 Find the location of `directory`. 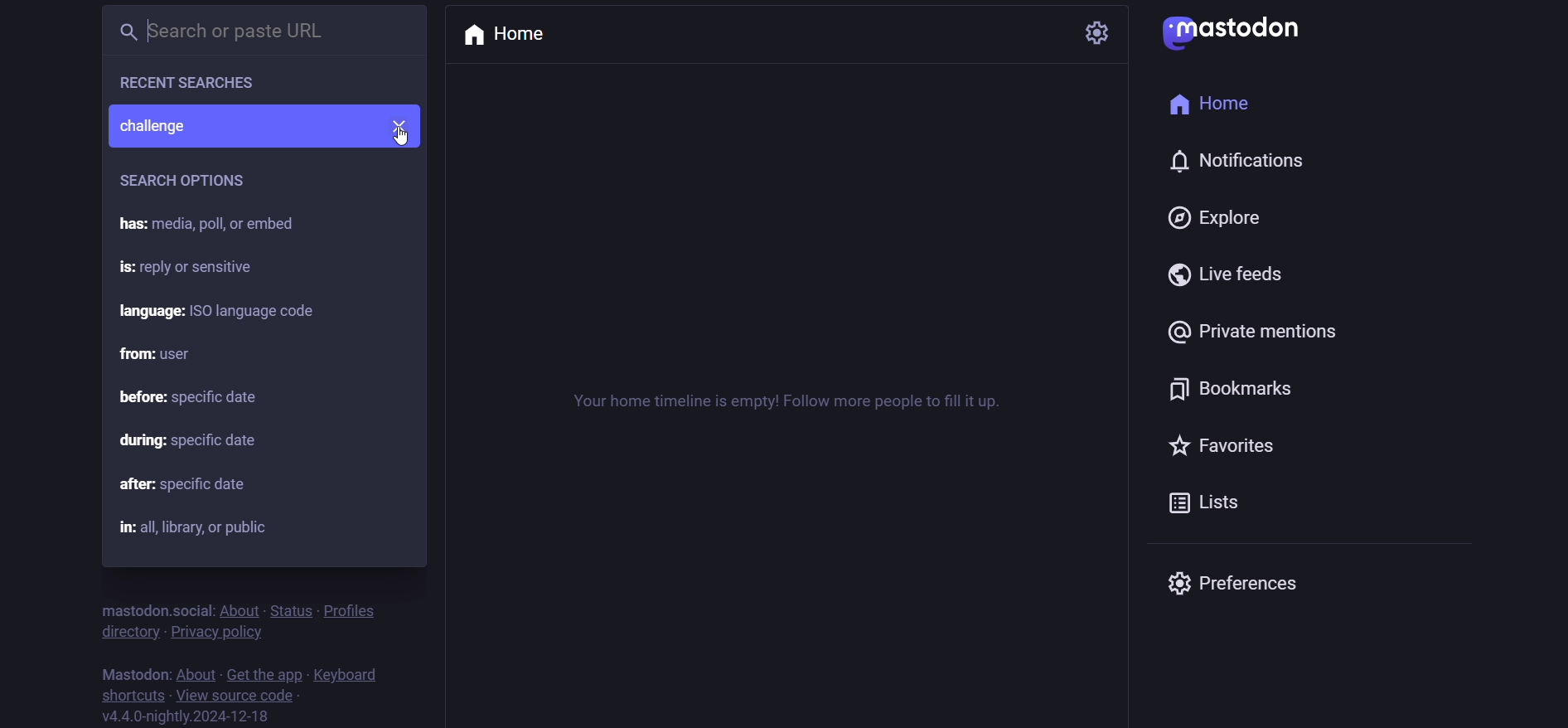

directory is located at coordinates (126, 630).